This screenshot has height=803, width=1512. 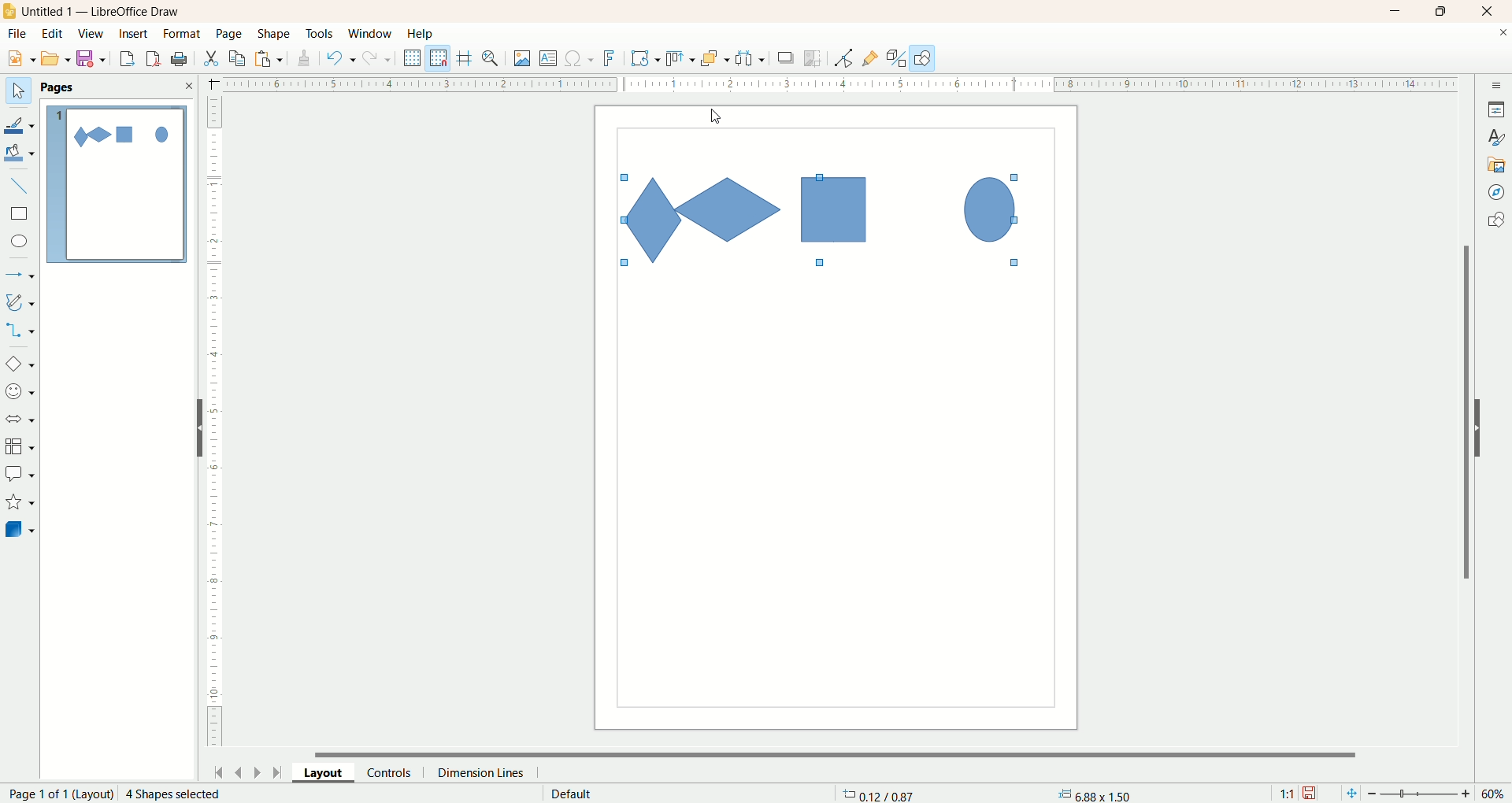 I want to click on scale bar, so click(x=214, y=425).